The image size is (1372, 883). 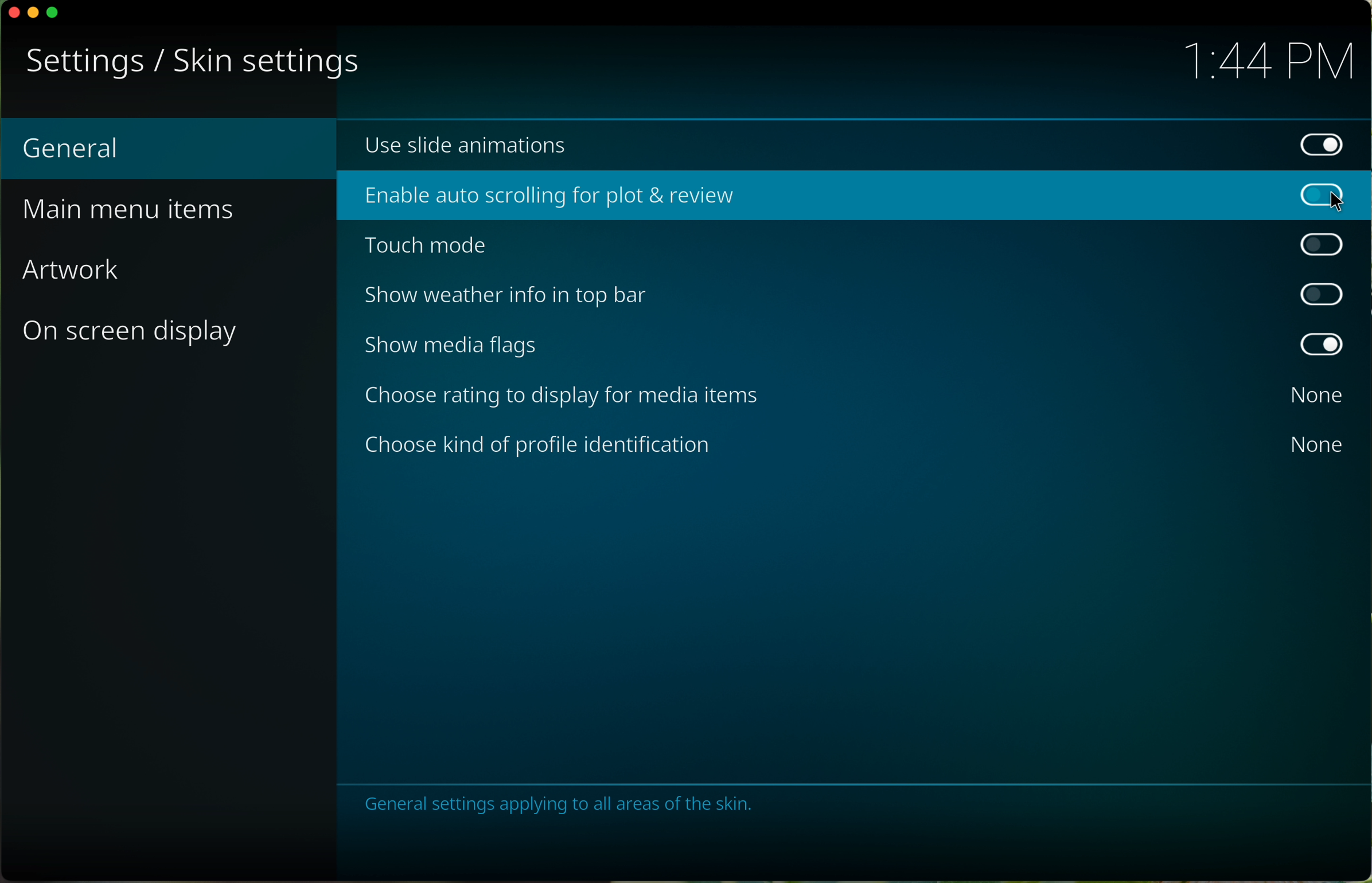 I want to click on disable show weather info in top bar, so click(x=849, y=297).